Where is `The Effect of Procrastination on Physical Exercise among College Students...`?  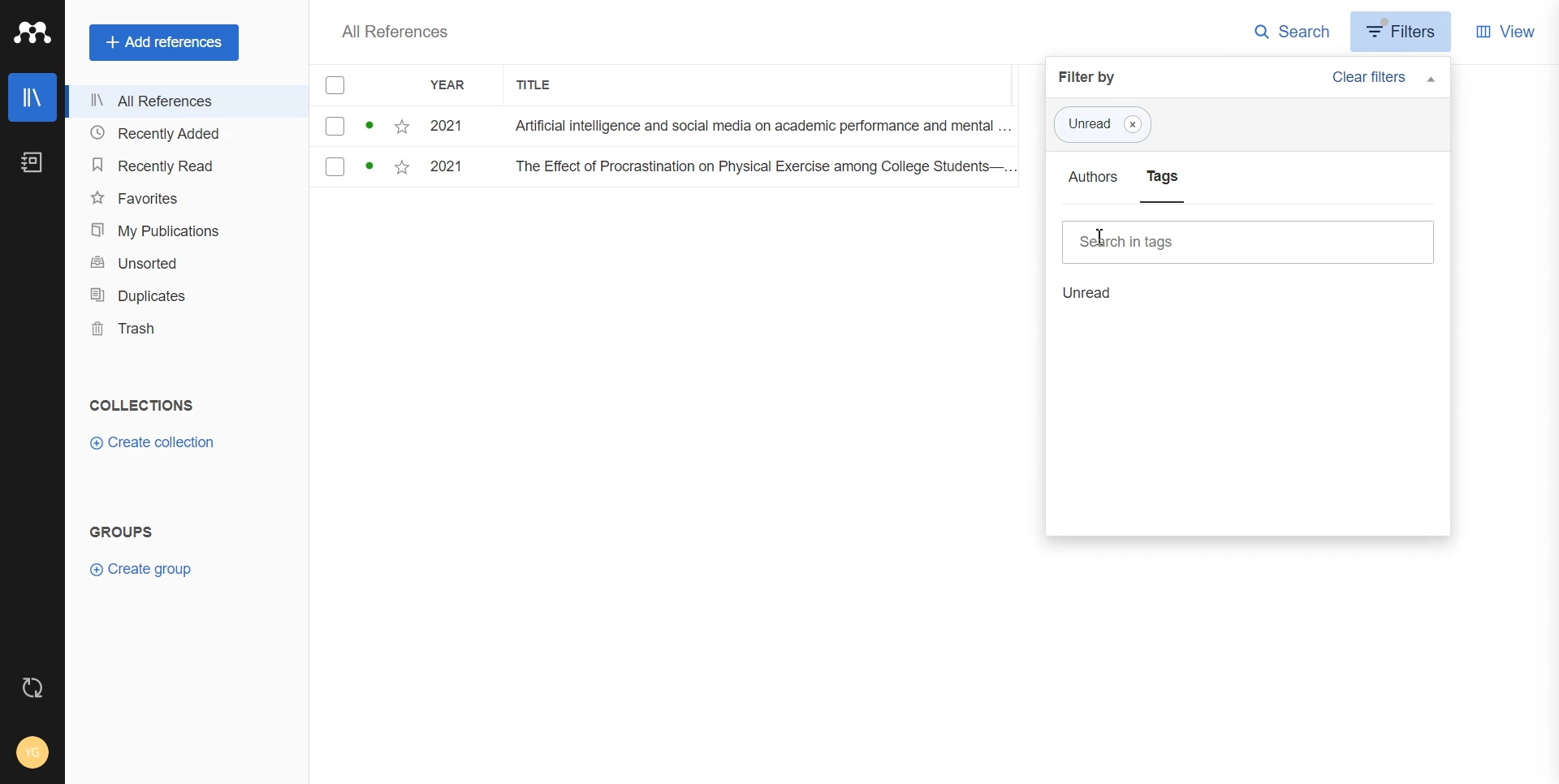
The Effect of Procrastination on Physical Exercise among College Students... is located at coordinates (762, 209).